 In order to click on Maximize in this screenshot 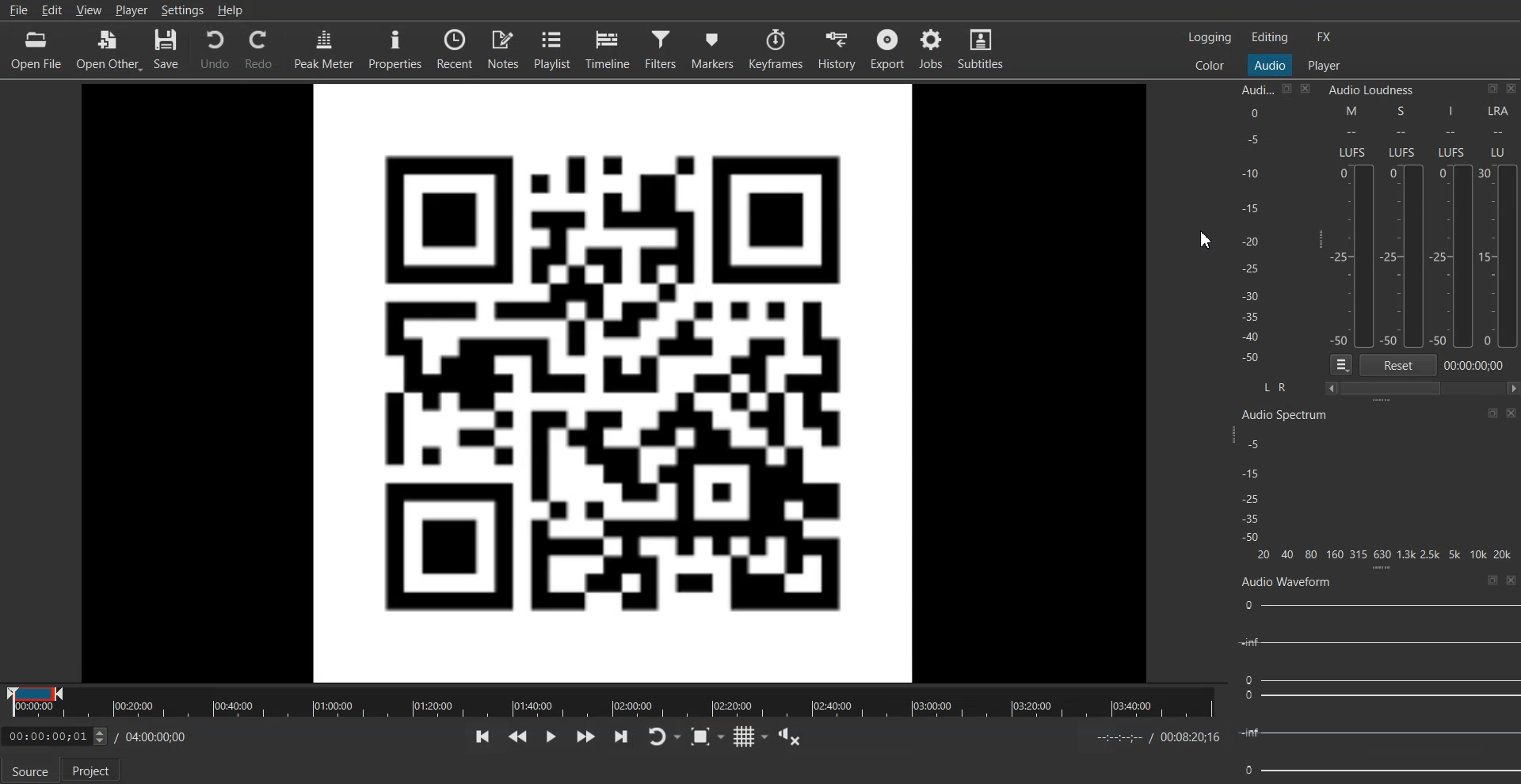, I will do `click(1287, 88)`.